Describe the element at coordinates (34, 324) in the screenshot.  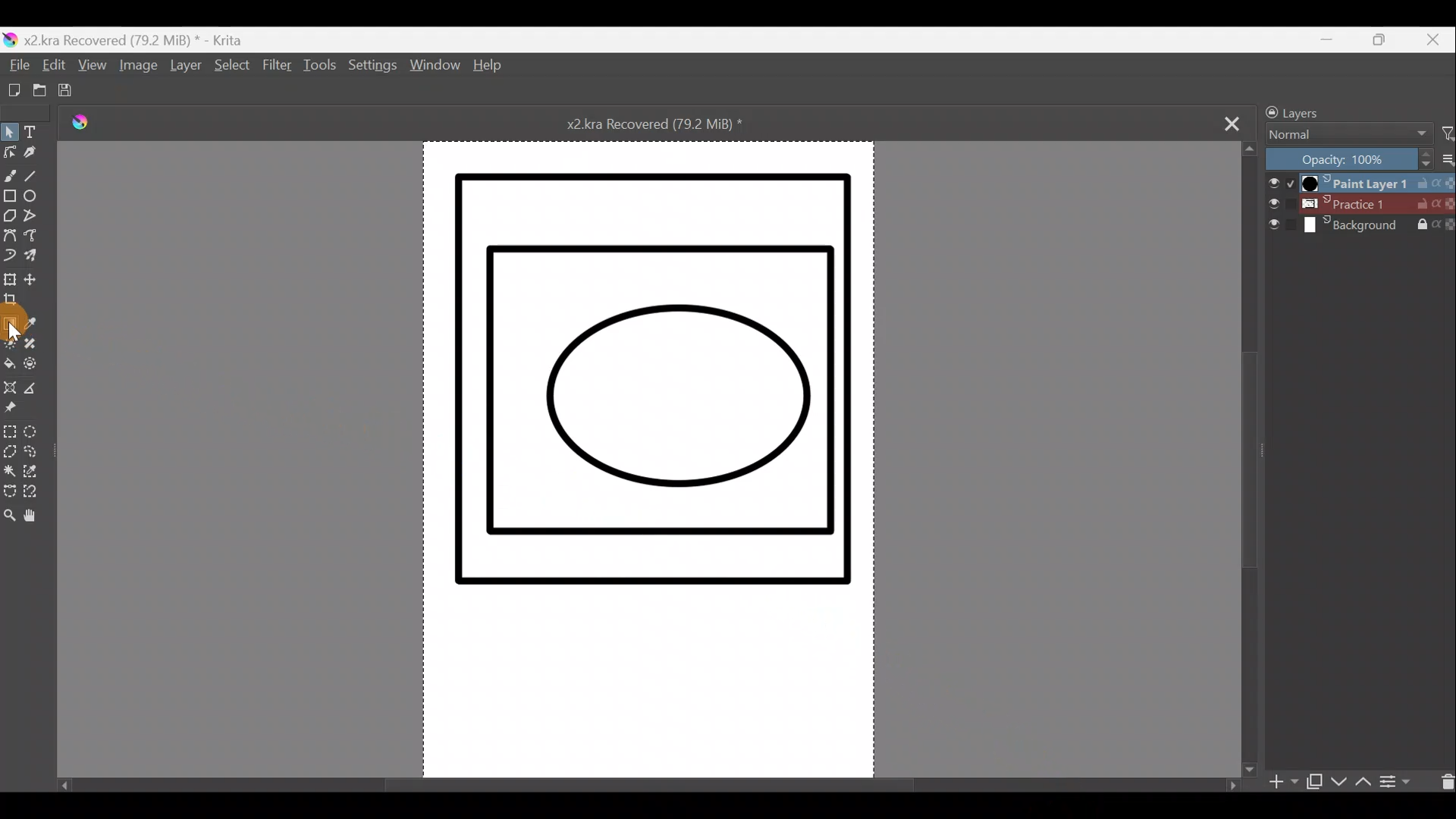
I see `Sample a colour from the image/current layer` at that location.